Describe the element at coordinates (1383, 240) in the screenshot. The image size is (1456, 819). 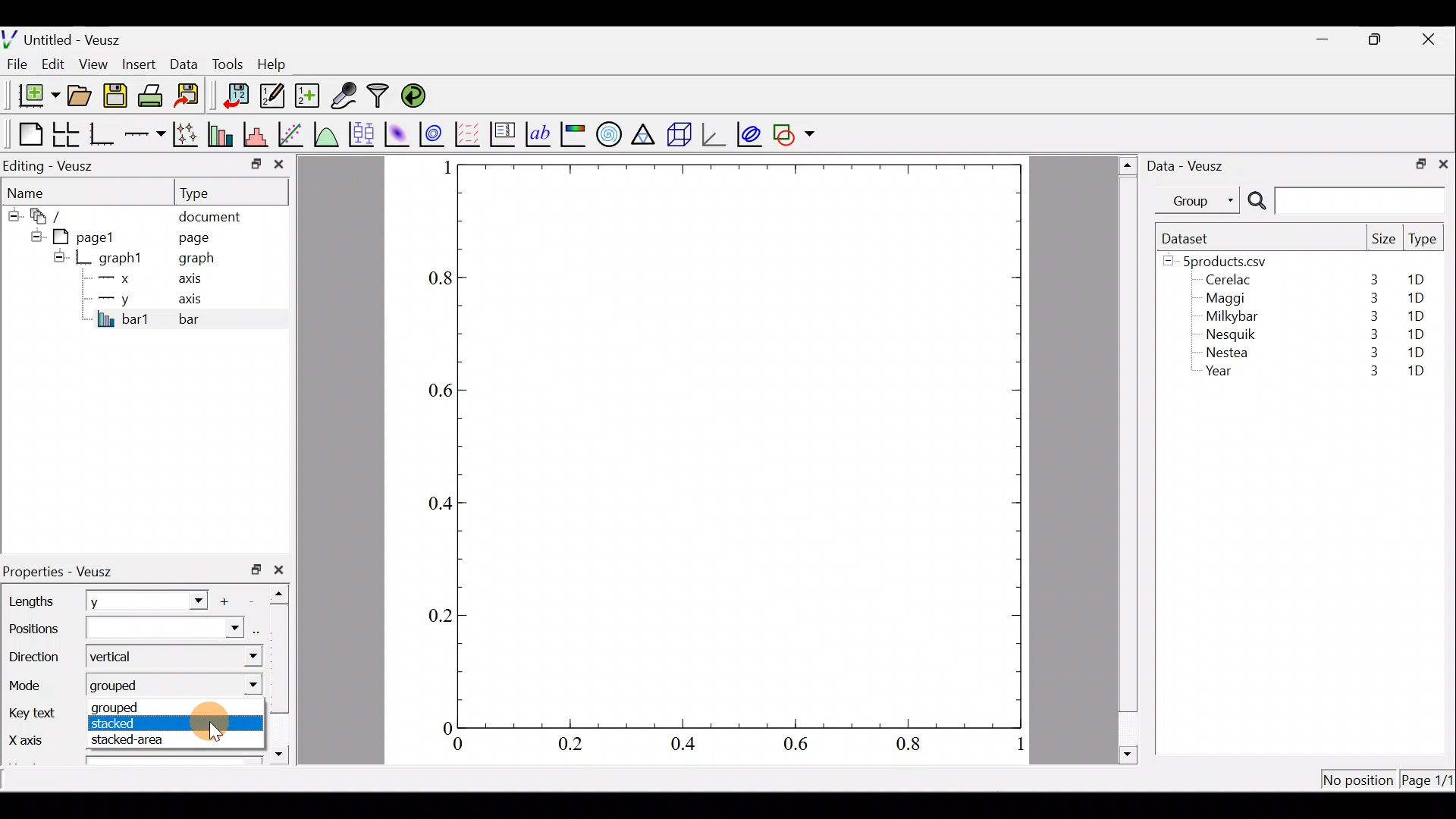
I see `Size` at that location.